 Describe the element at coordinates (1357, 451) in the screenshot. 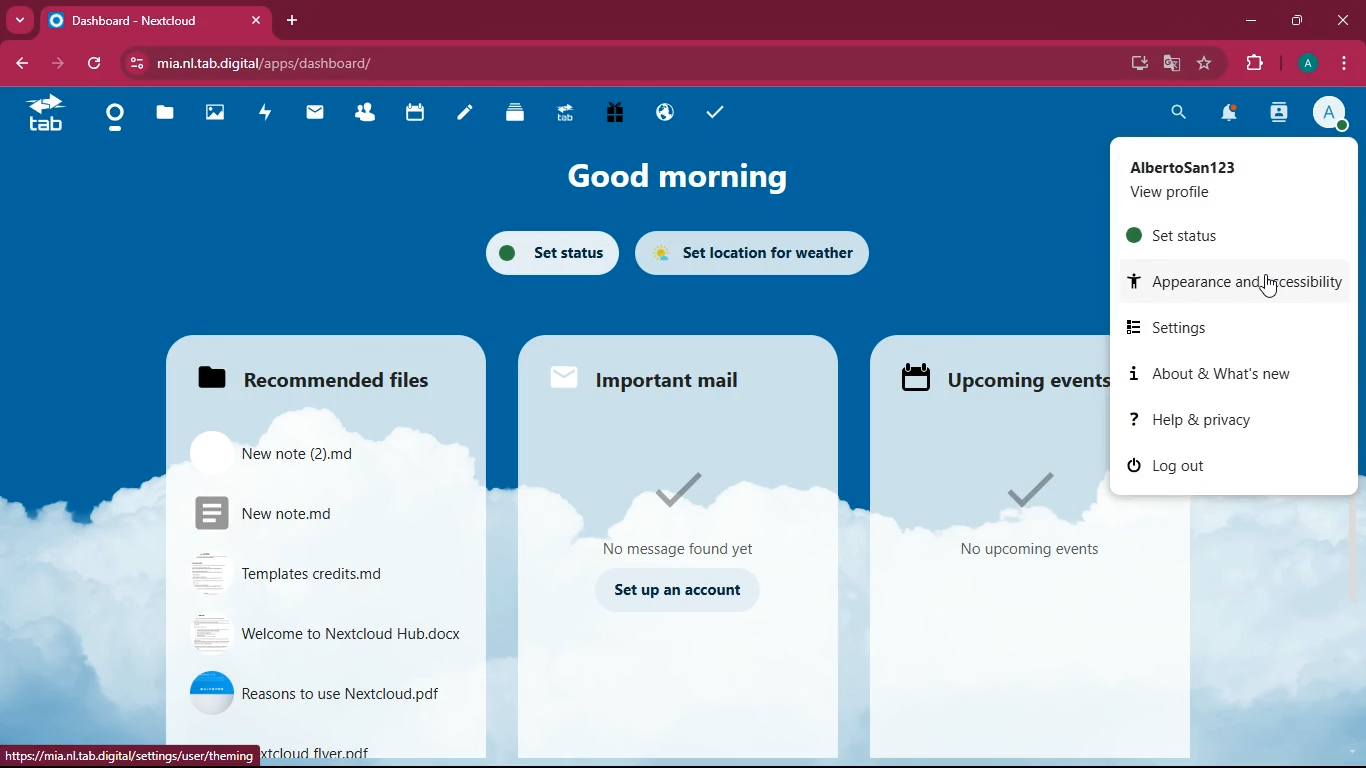

I see `scroll bar` at that location.